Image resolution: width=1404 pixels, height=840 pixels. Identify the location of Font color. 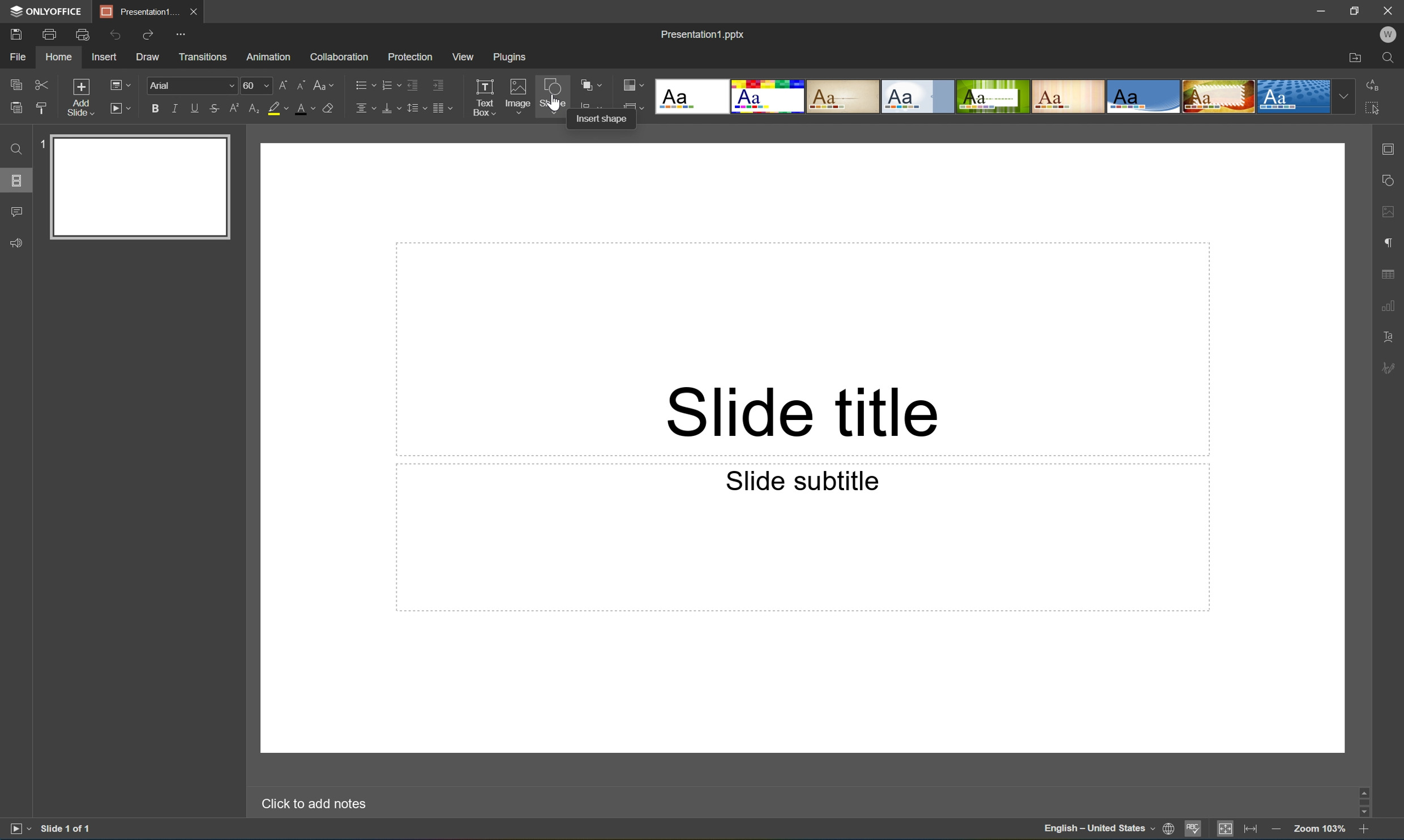
(307, 110).